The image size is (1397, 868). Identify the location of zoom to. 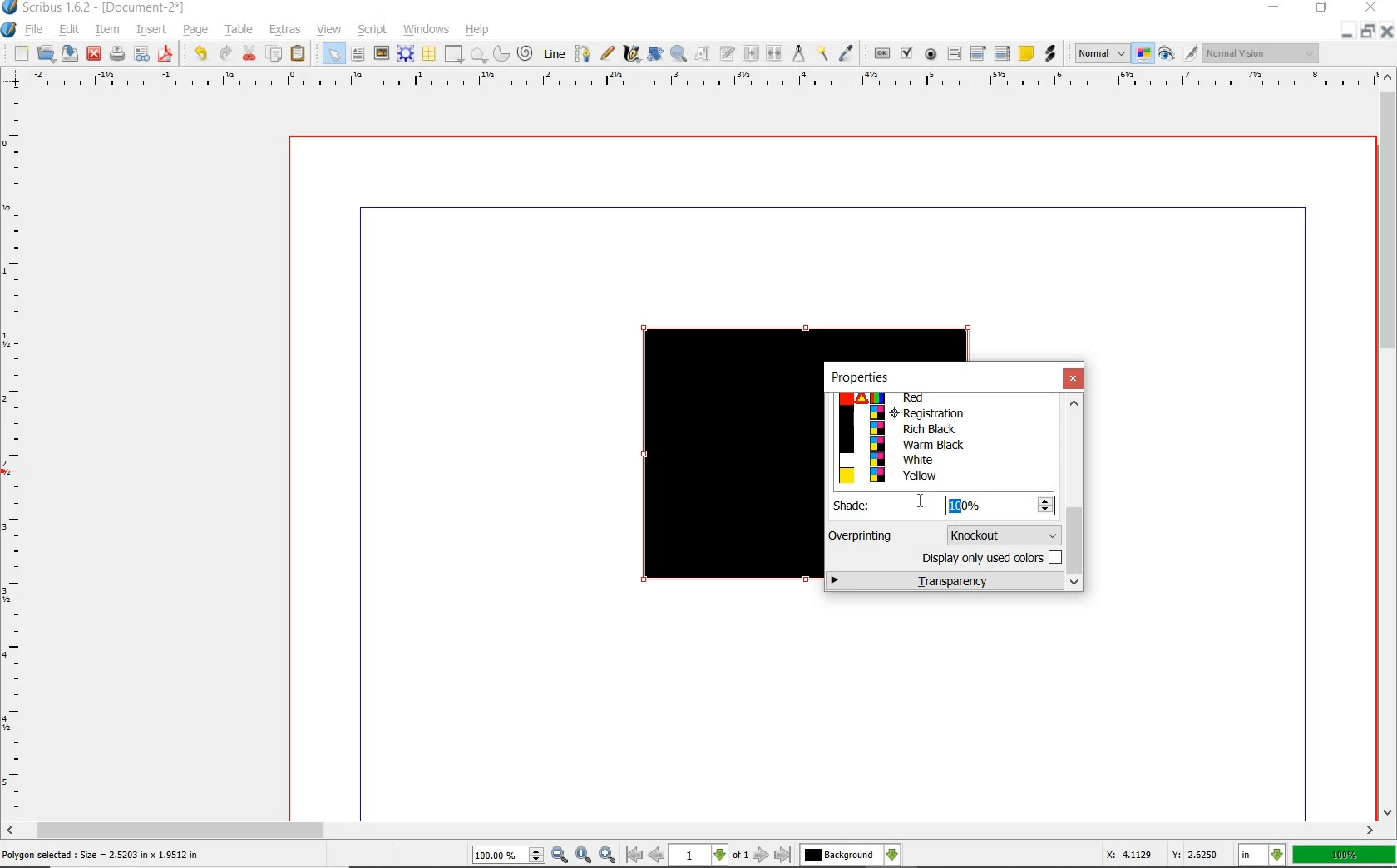
(583, 855).